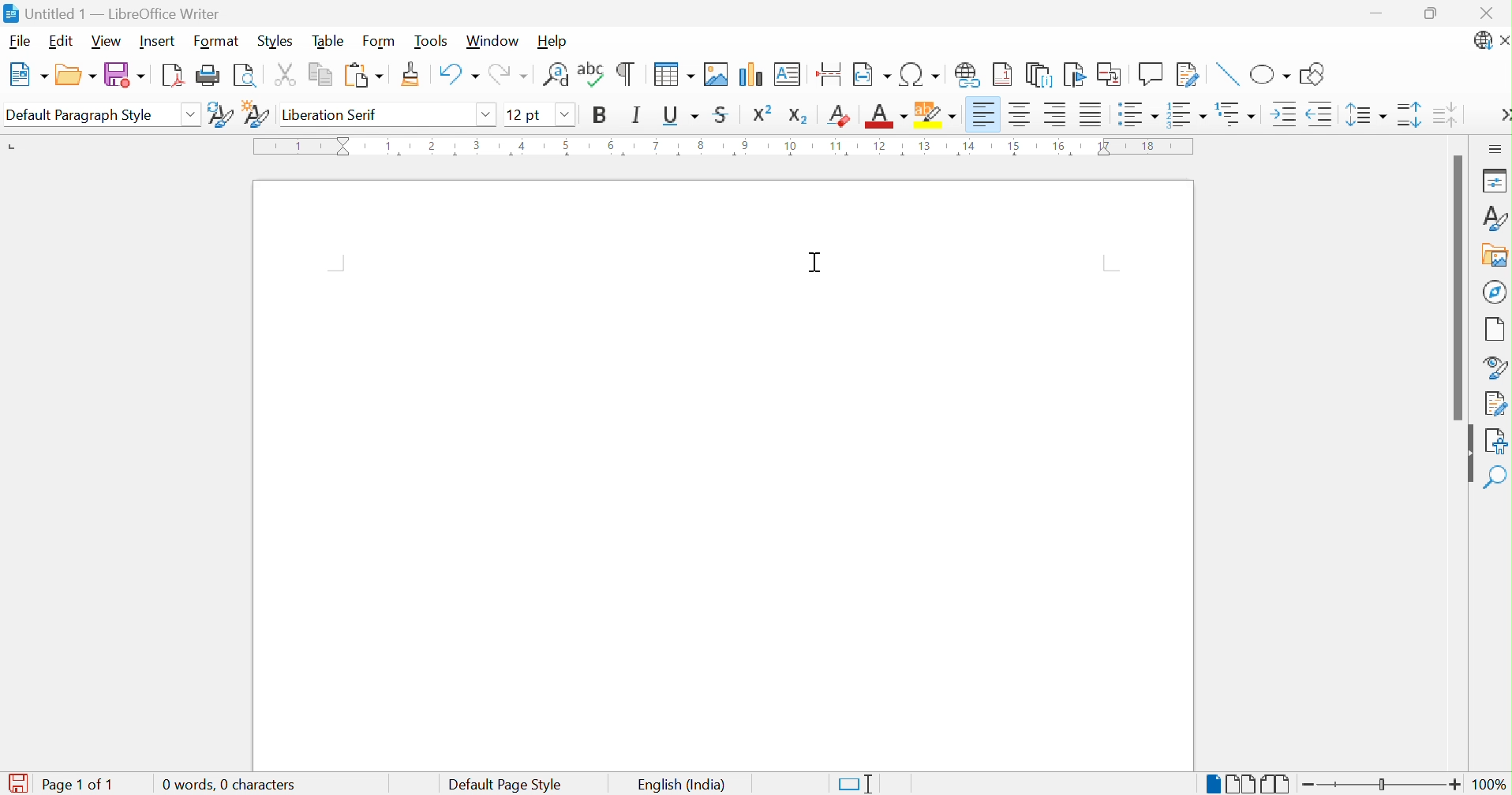  I want to click on Close, so click(1488, 16).